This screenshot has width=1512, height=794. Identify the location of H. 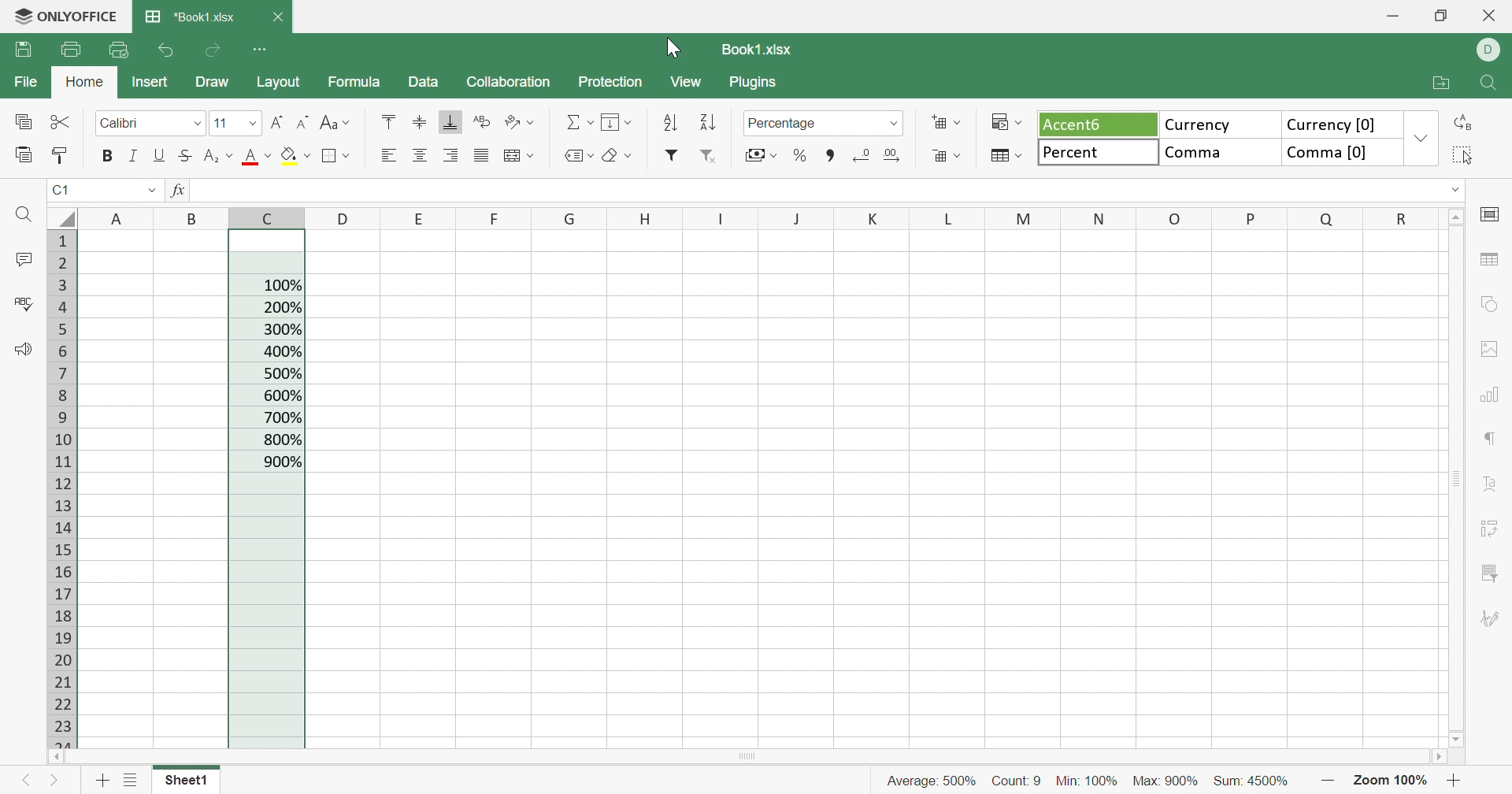
(642, 220).